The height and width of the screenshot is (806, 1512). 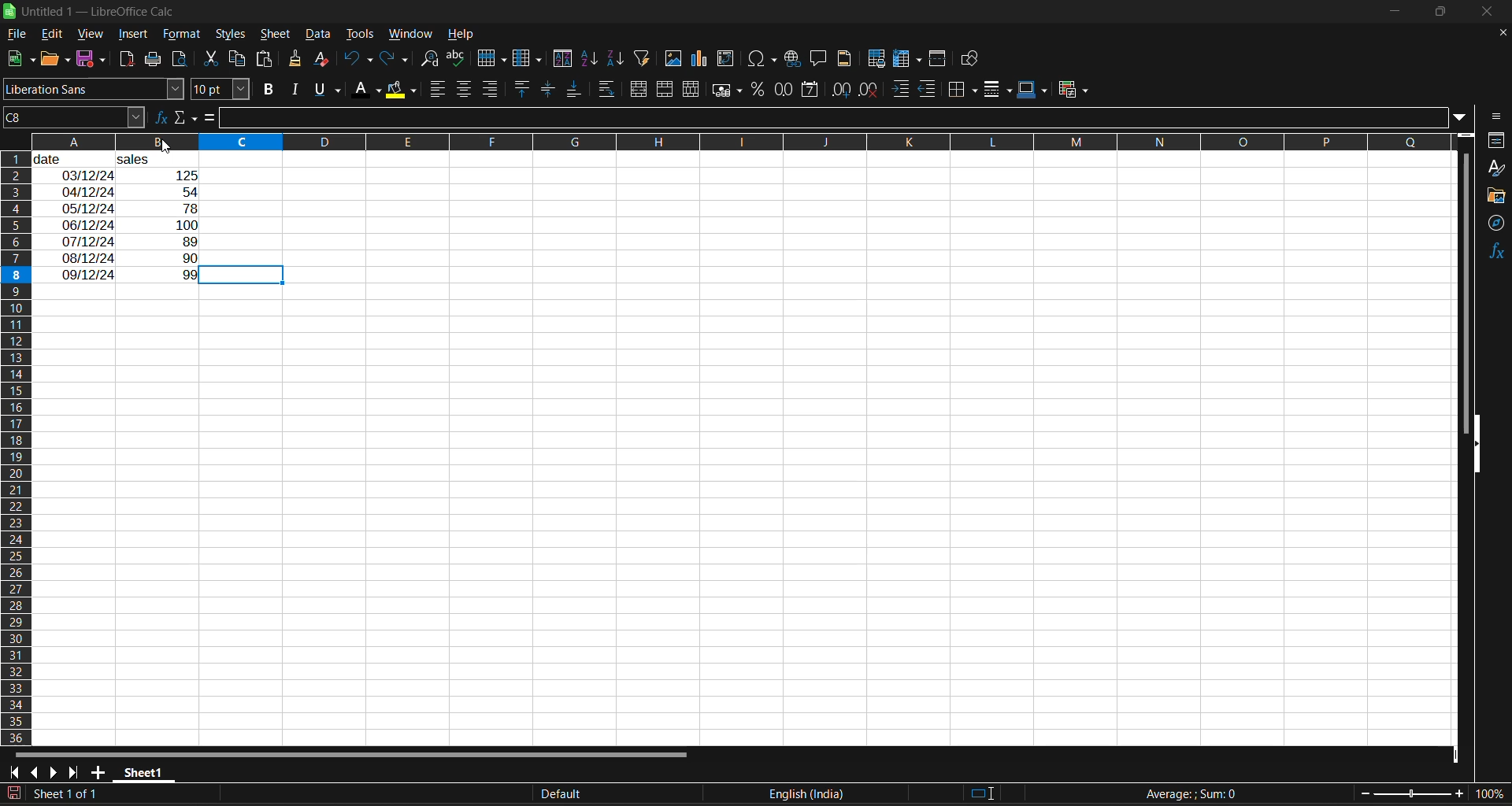 I want to click on font color, so click(x=369, y=91).